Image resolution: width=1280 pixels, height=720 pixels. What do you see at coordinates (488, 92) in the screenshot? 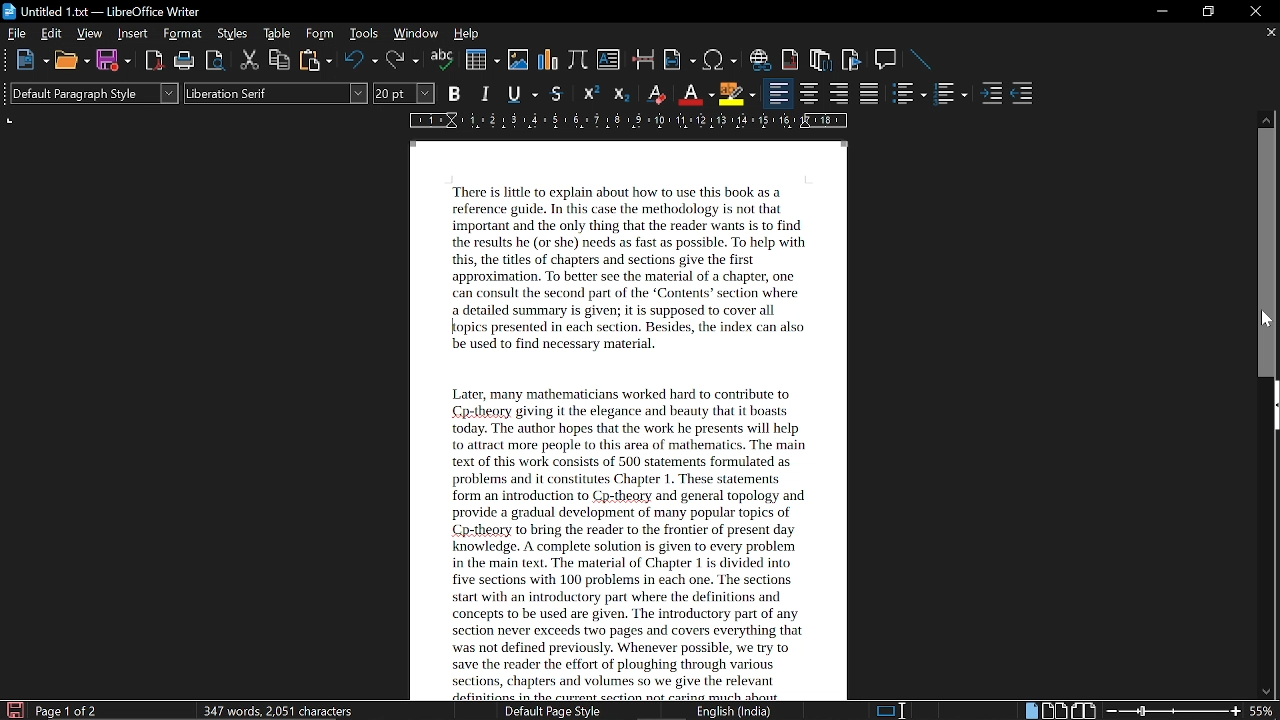
I see `italic` at bounding box center [488, 92].